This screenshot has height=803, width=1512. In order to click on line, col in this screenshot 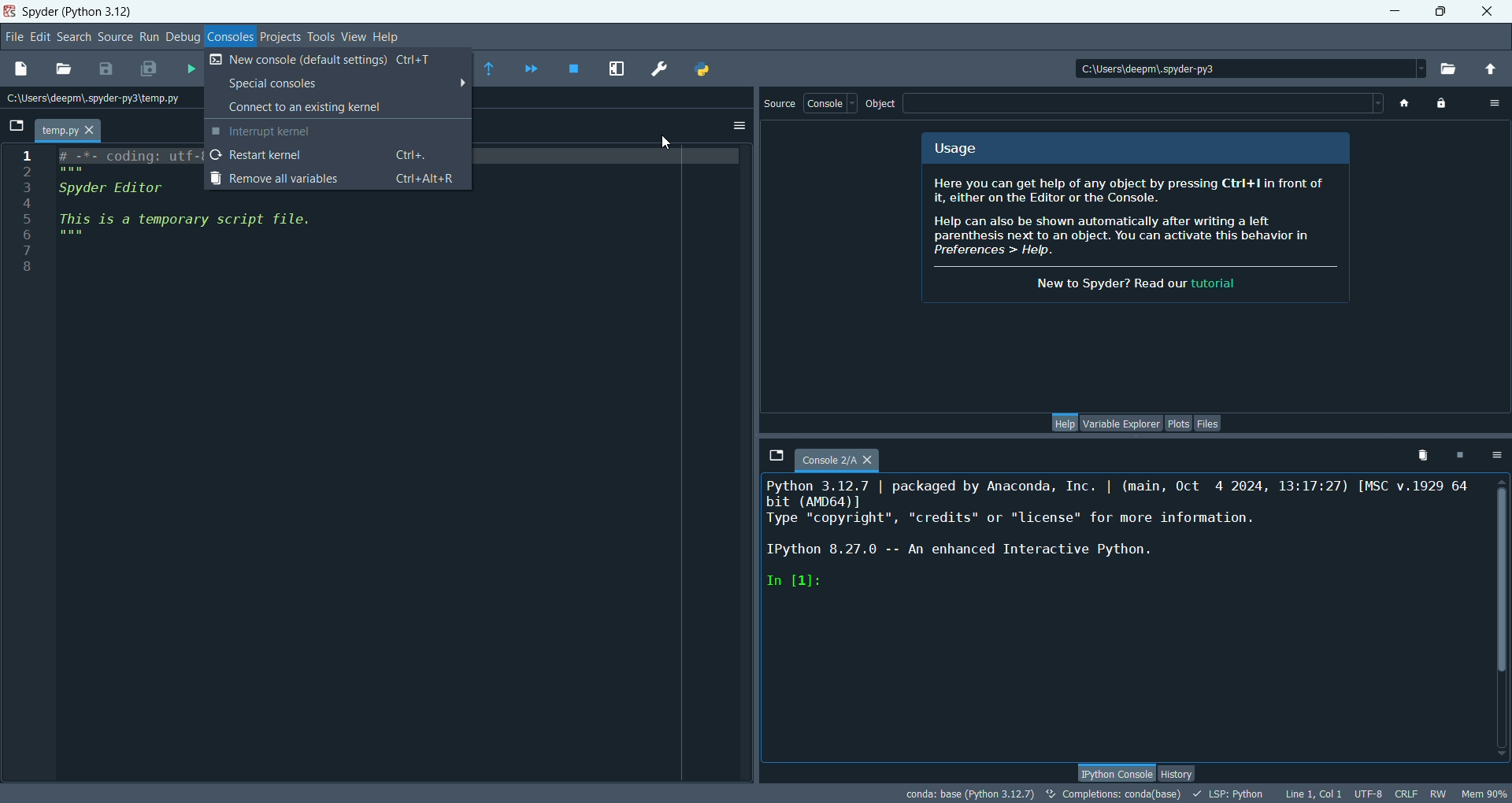, I will do `click(1314, 793)`.